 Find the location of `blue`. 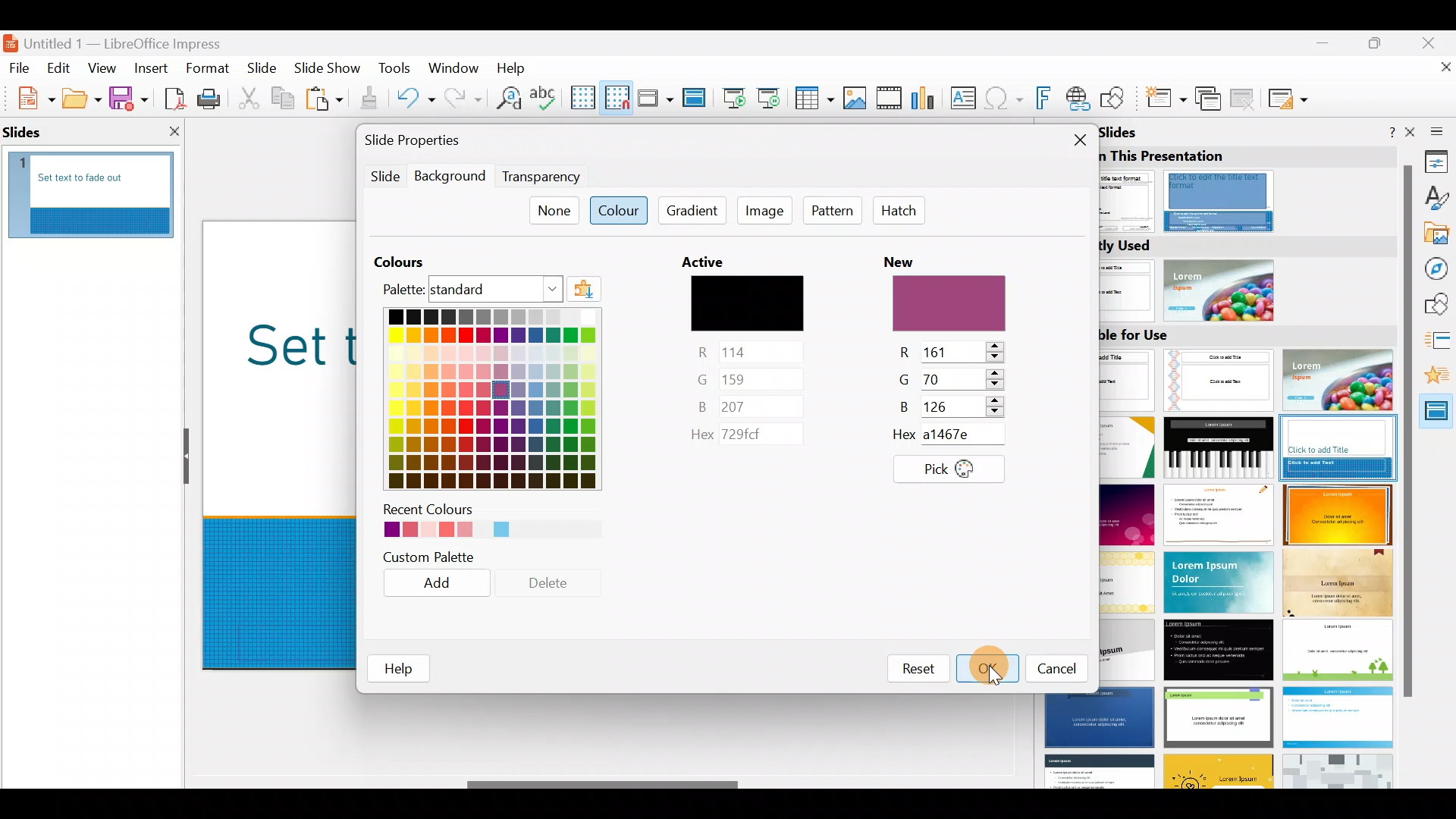

blue is located at coordinates (953, 406).